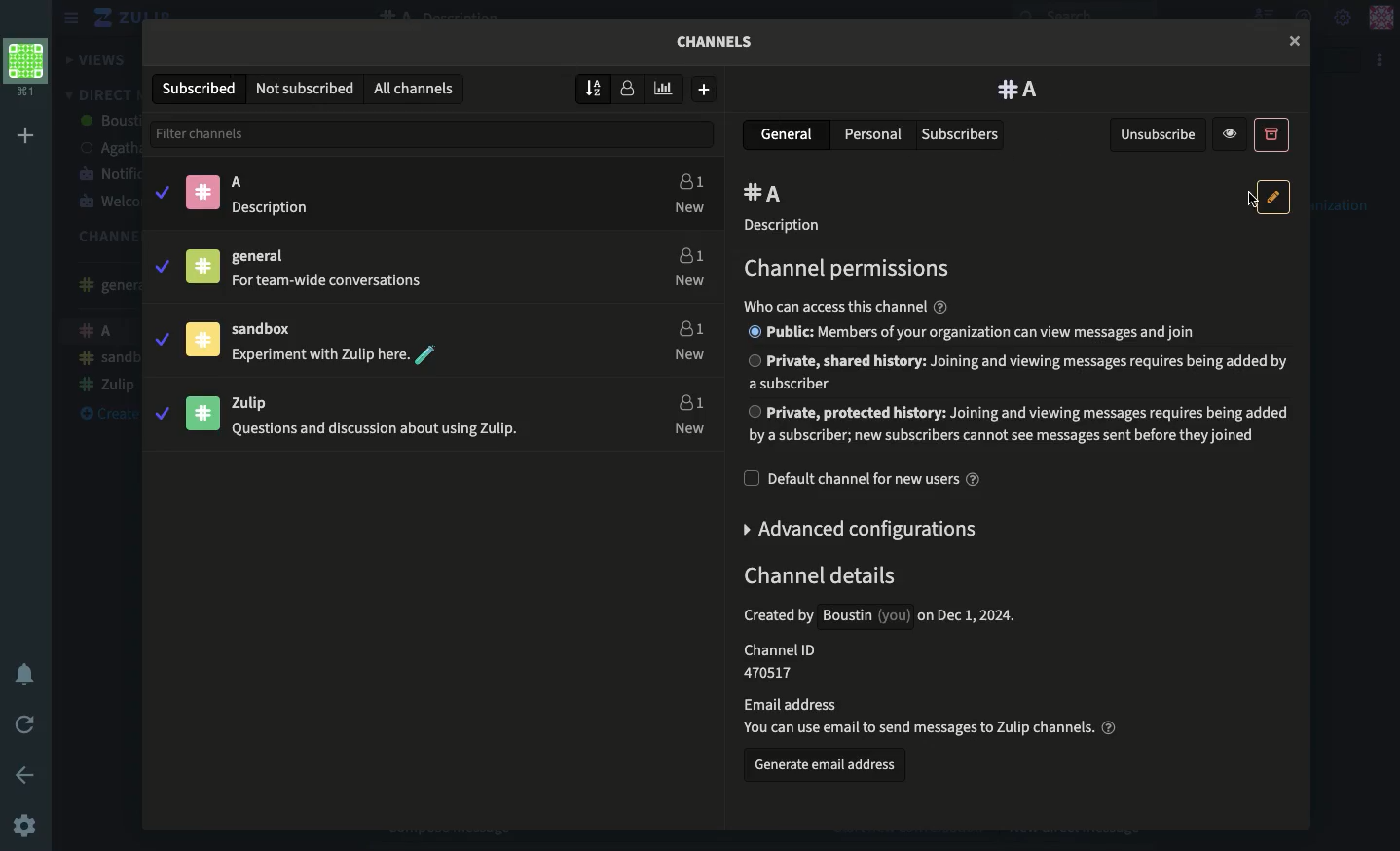 This screenshot has height=851, width=1400. I want to click on O Private, shared history: Joining and viewing messages requires being added by
a subscriber, so click(1018, 370).